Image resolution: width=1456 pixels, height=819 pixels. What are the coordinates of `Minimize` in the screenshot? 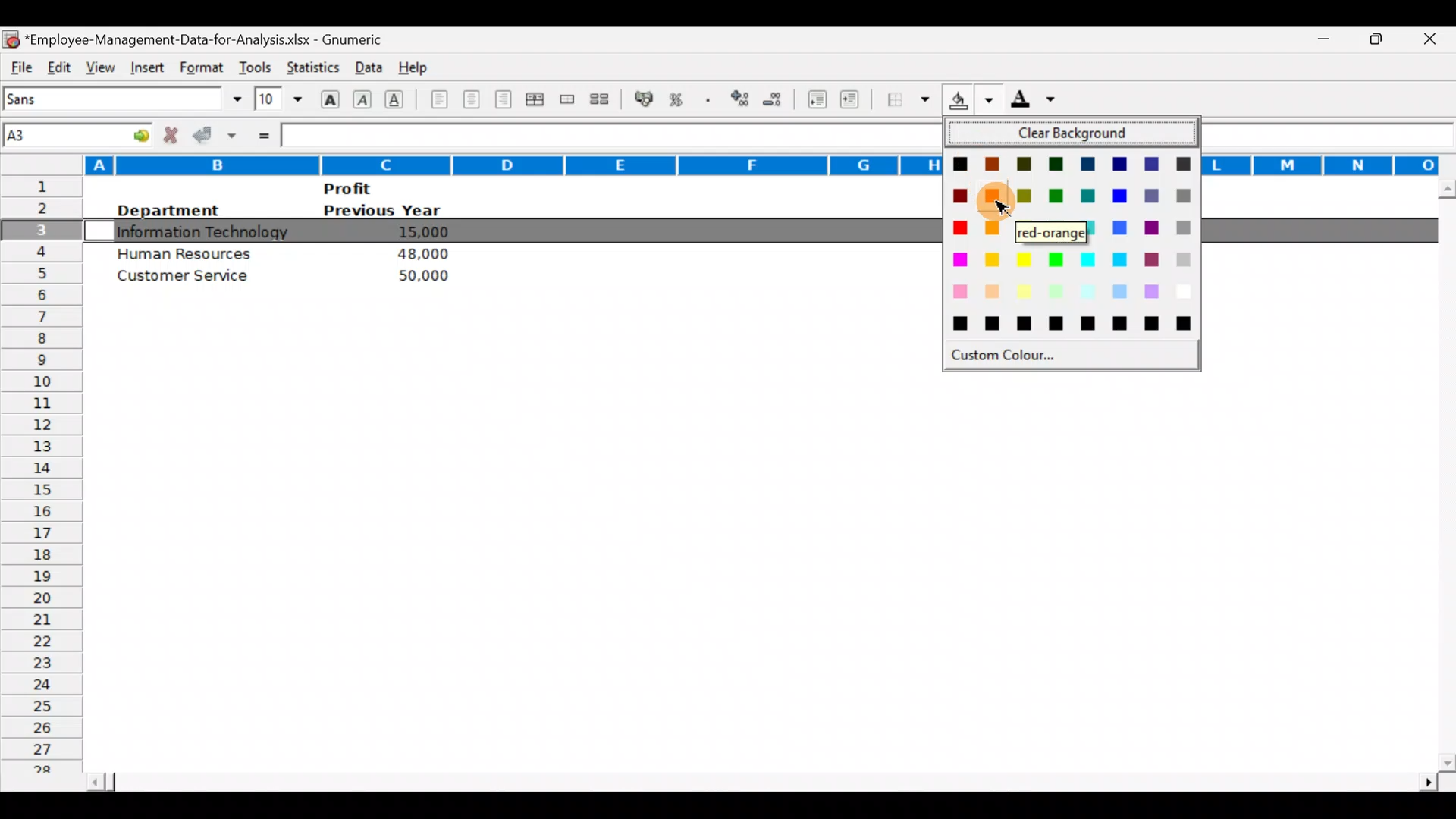 It's located at (1315, 39).